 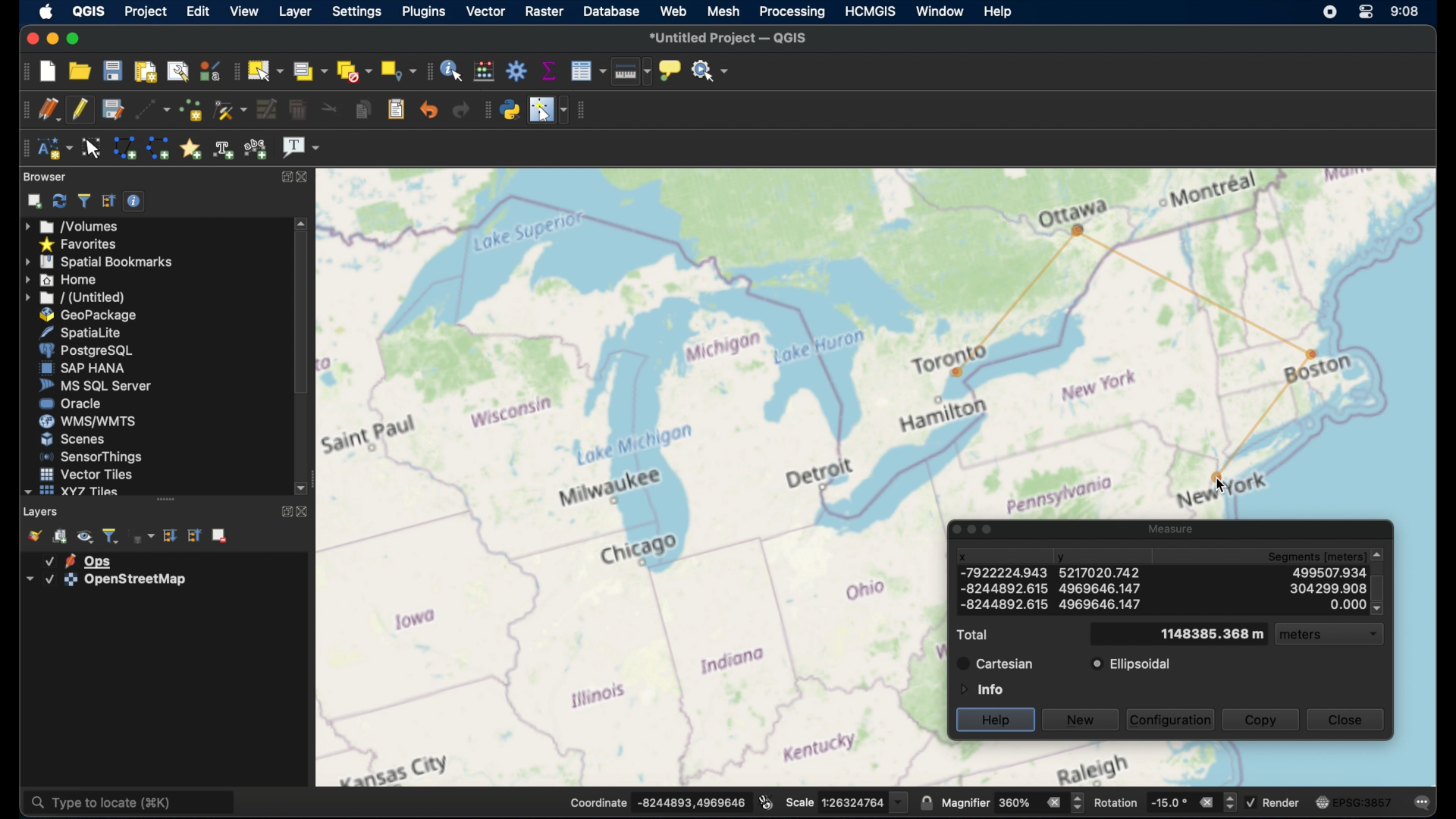 What do you see at coordinates (971, 530) in the screenshot?
I see `minimize` at bounding box center [971, 530].